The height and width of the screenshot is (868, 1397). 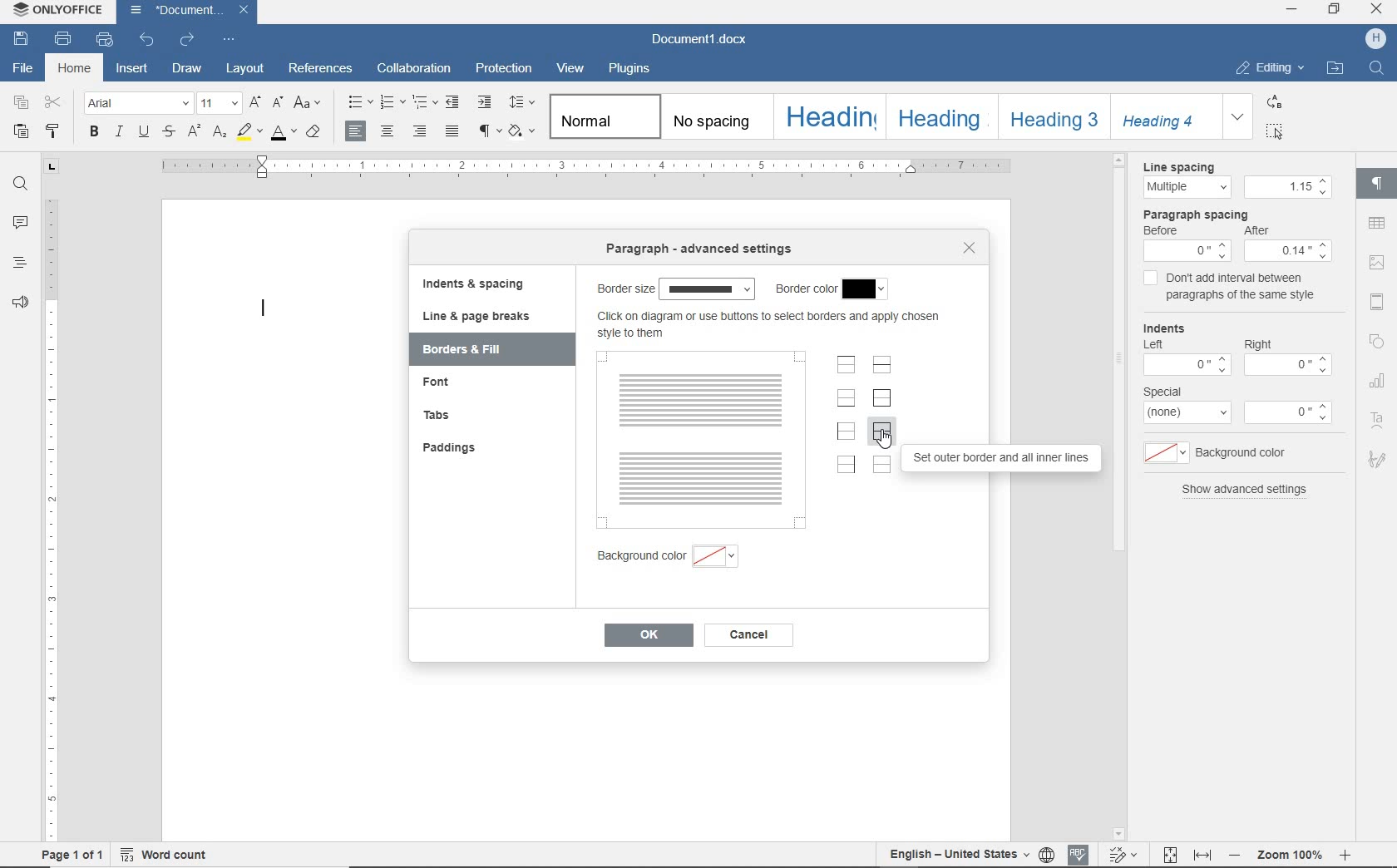 What do you see at coordinates (956, 856) in the screenshot?
I see `English - United States(text language)` at bounding box center [956, 856].